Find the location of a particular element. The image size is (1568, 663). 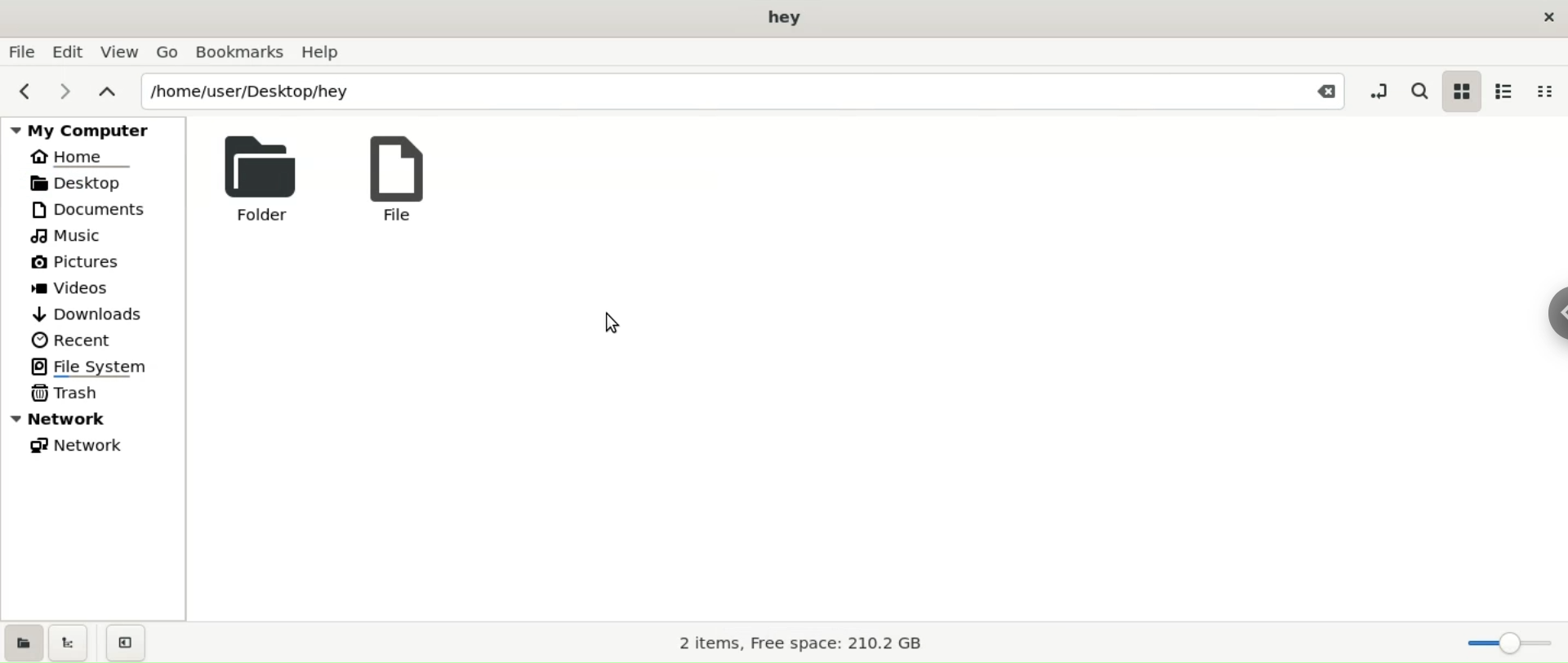

documents is located at coordinates (89, 209).